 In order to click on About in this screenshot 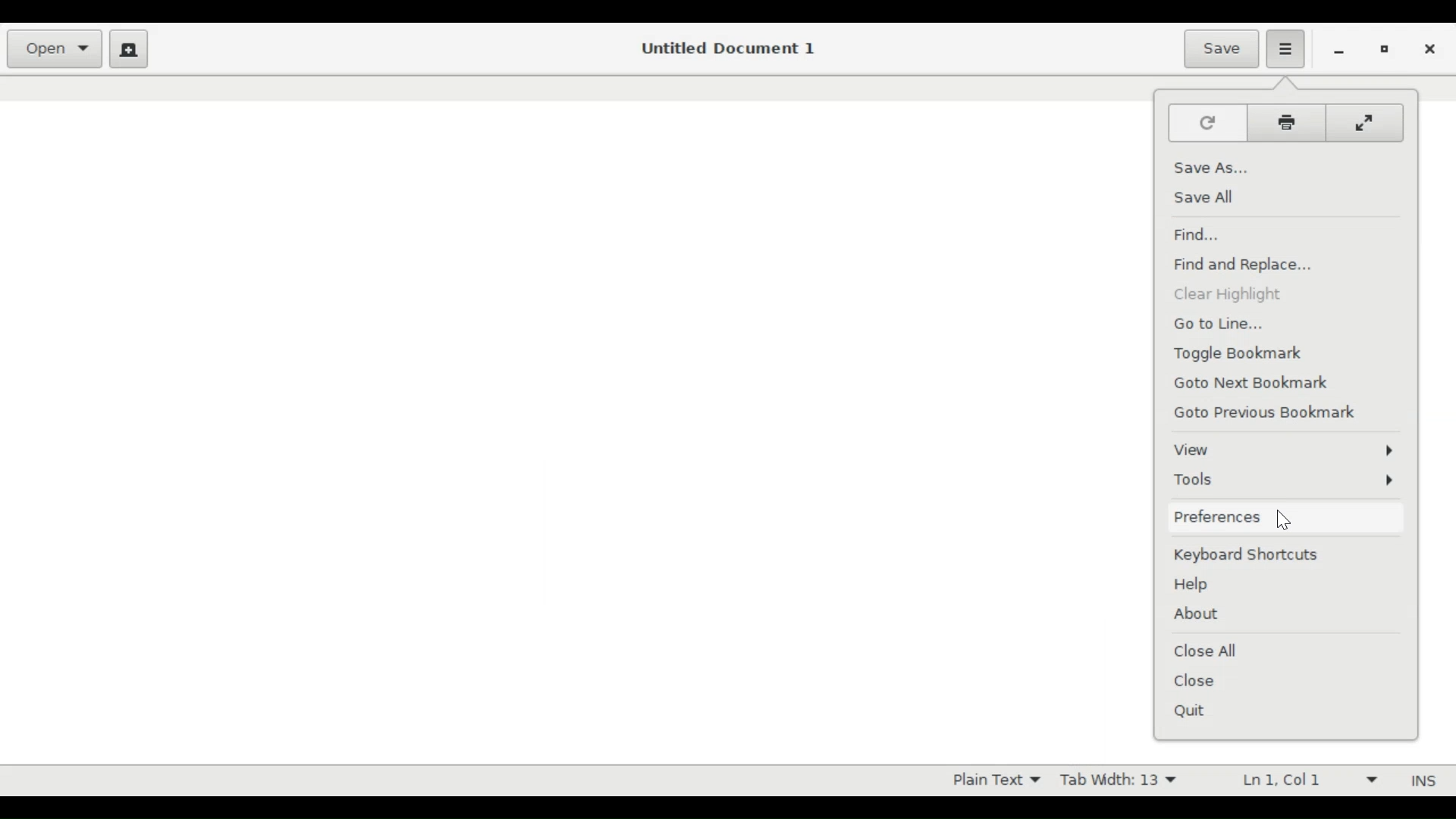, I will do `click(1200, 614)`.